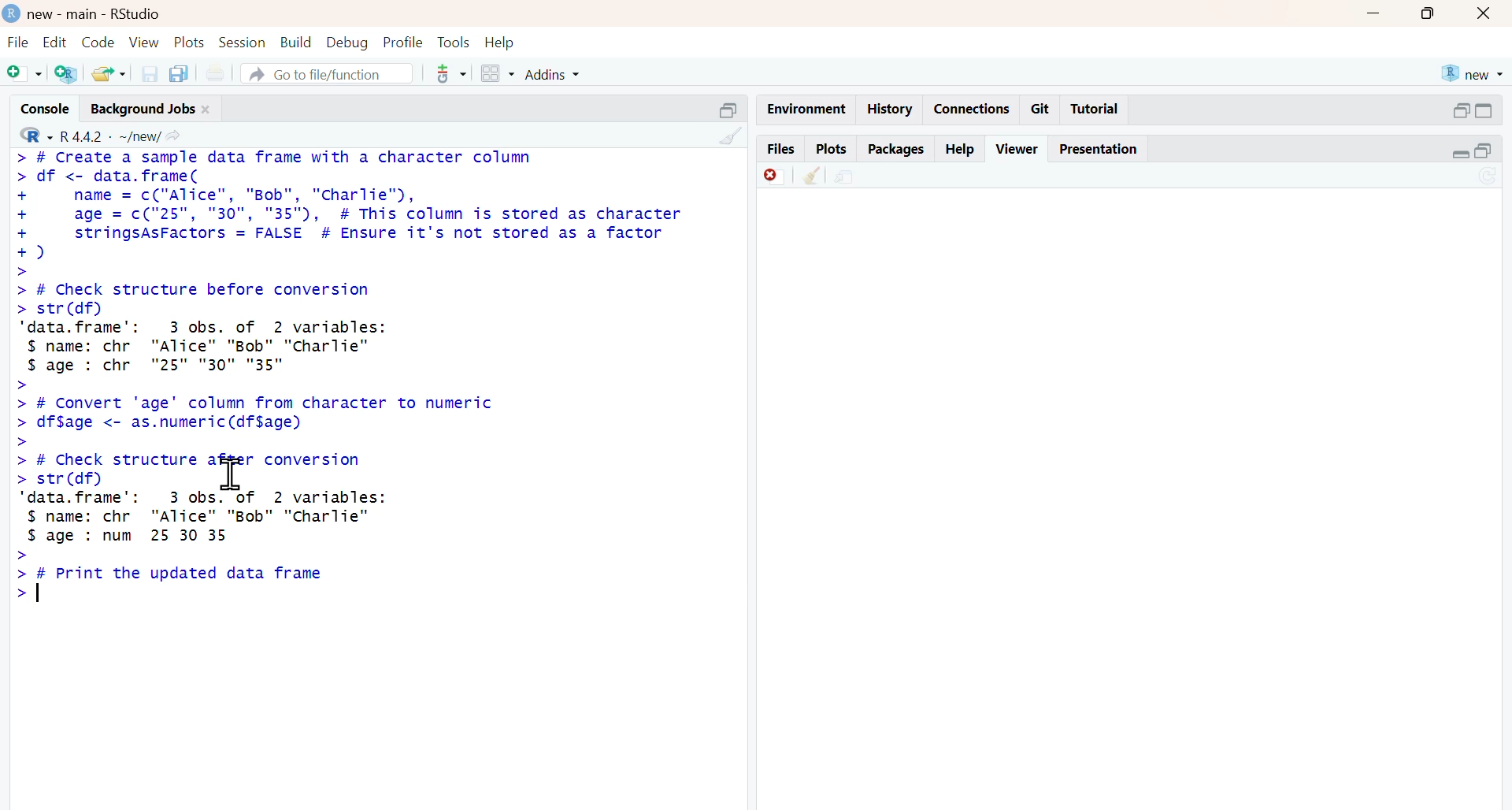 Image resolution: width=1512 pixels, height=810 pixels. What do you see at coordinates (973, 109) in the screenshot?
I see `connections` at bounding box center [973, 109].